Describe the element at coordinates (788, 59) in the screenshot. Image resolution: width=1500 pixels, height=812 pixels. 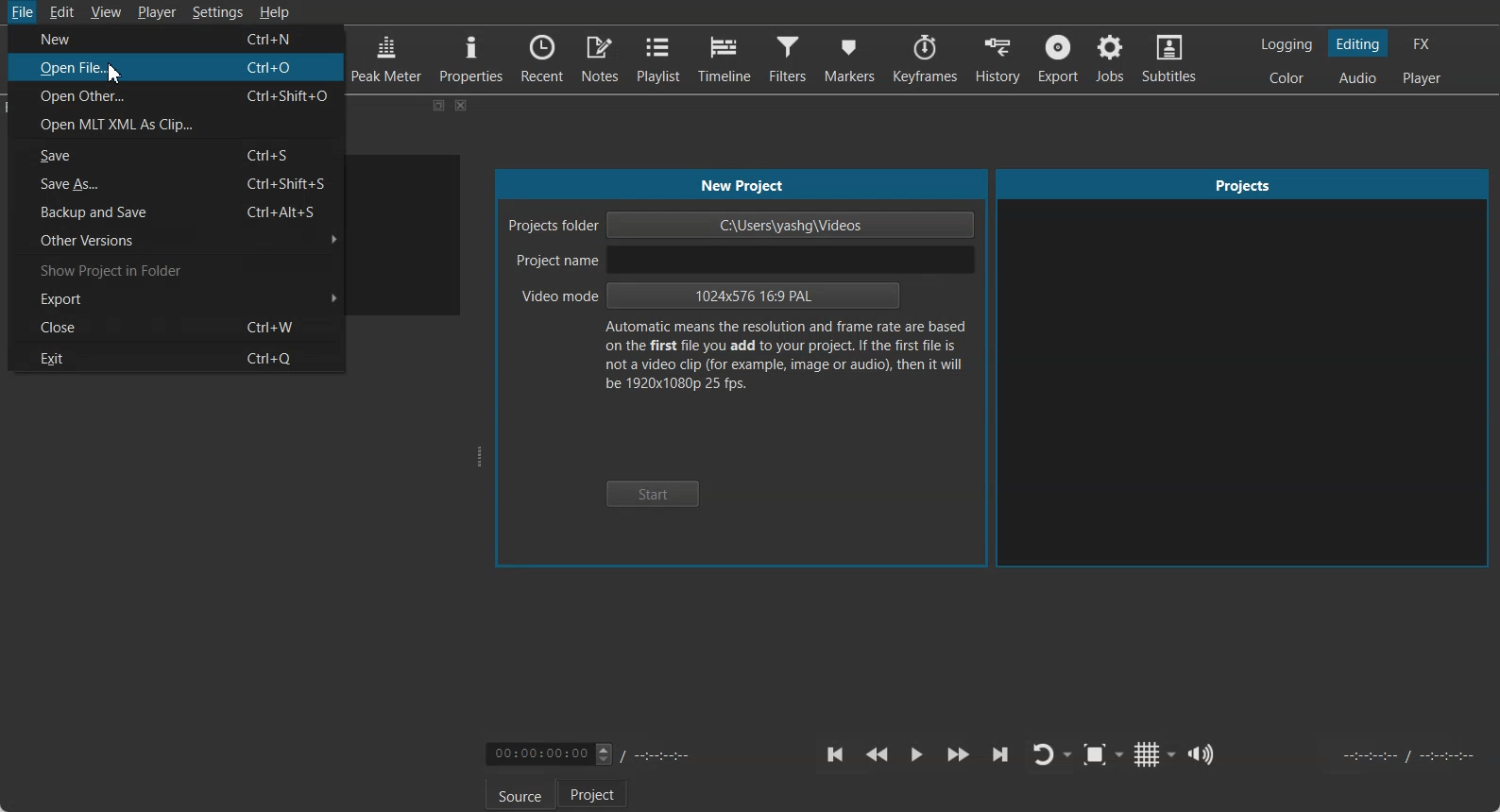
I see `Filter` at that location.